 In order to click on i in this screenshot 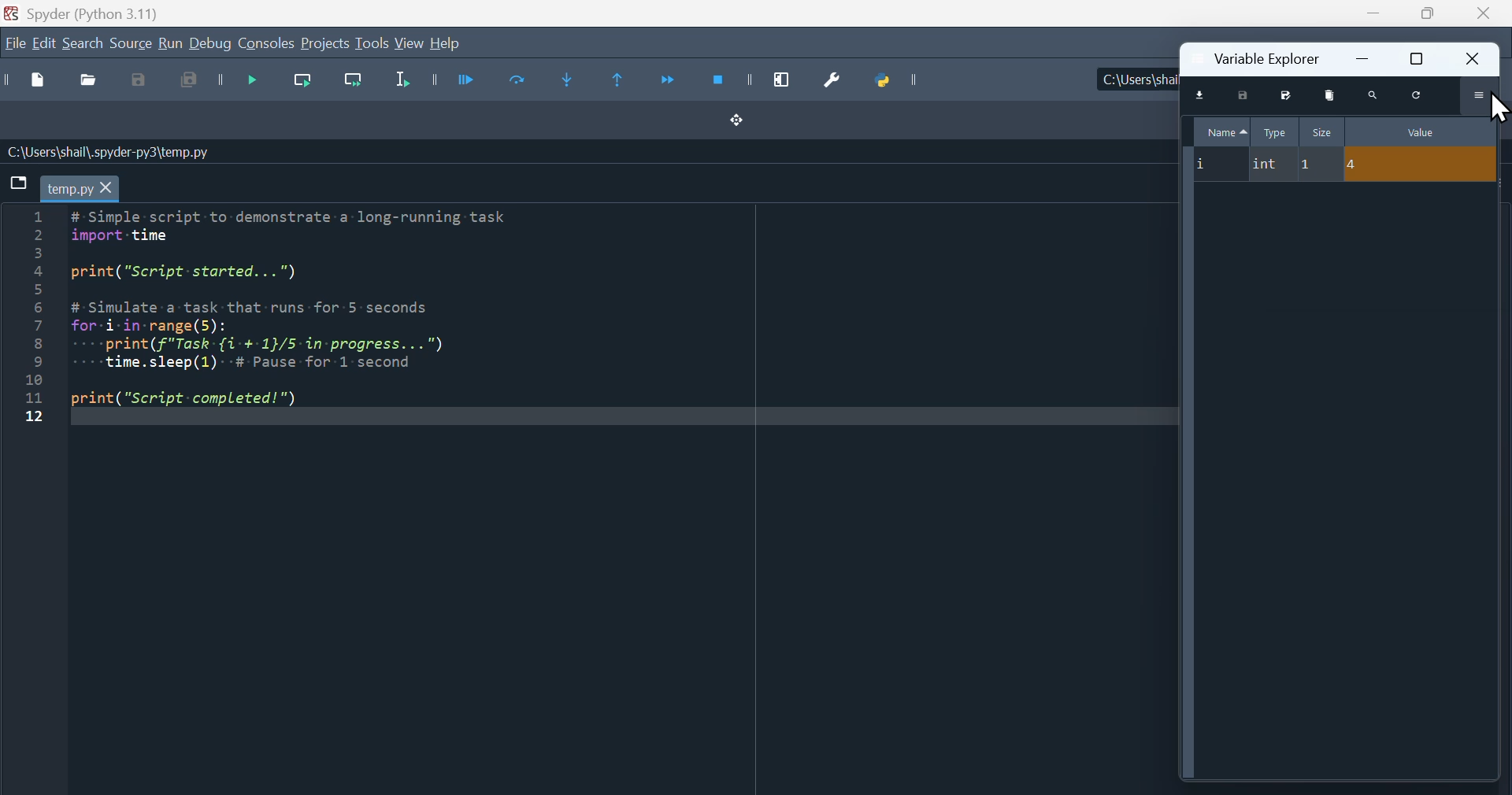, I will do `click(1215, 165)`.